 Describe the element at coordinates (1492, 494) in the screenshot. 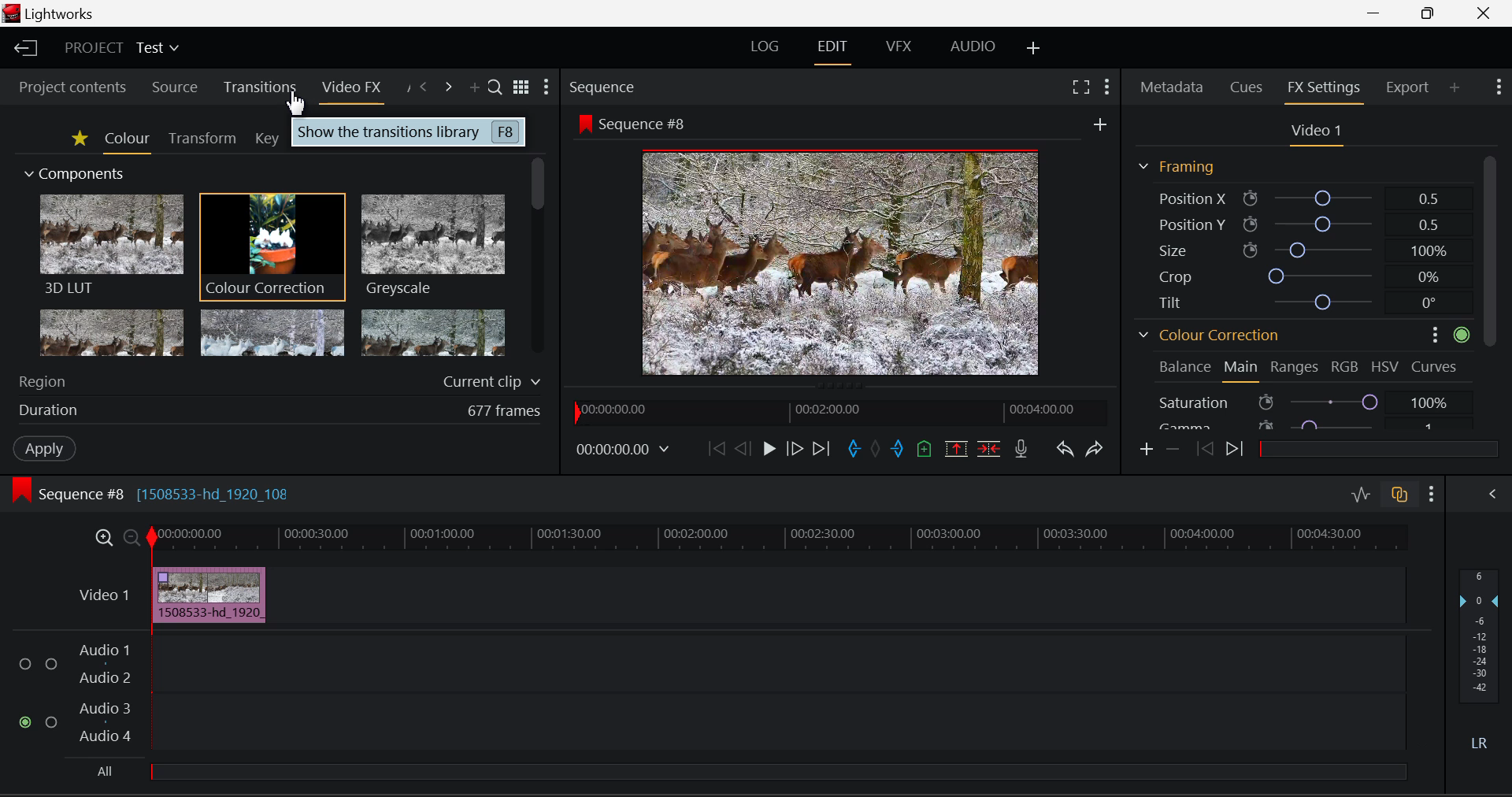

I see `Show Audio Mix` at that location.